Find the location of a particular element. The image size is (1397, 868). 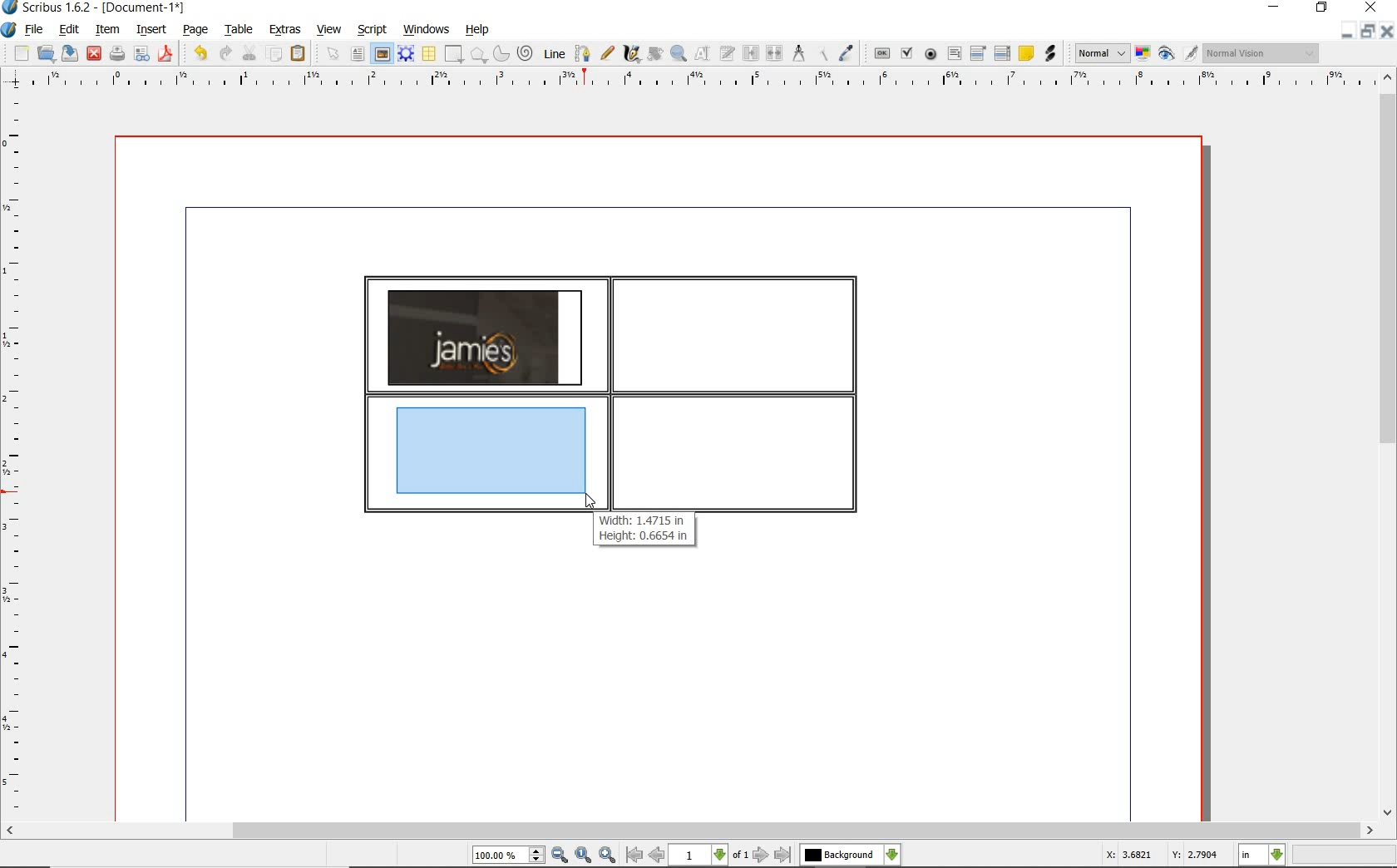

view  is located at coordinates (332, 30).